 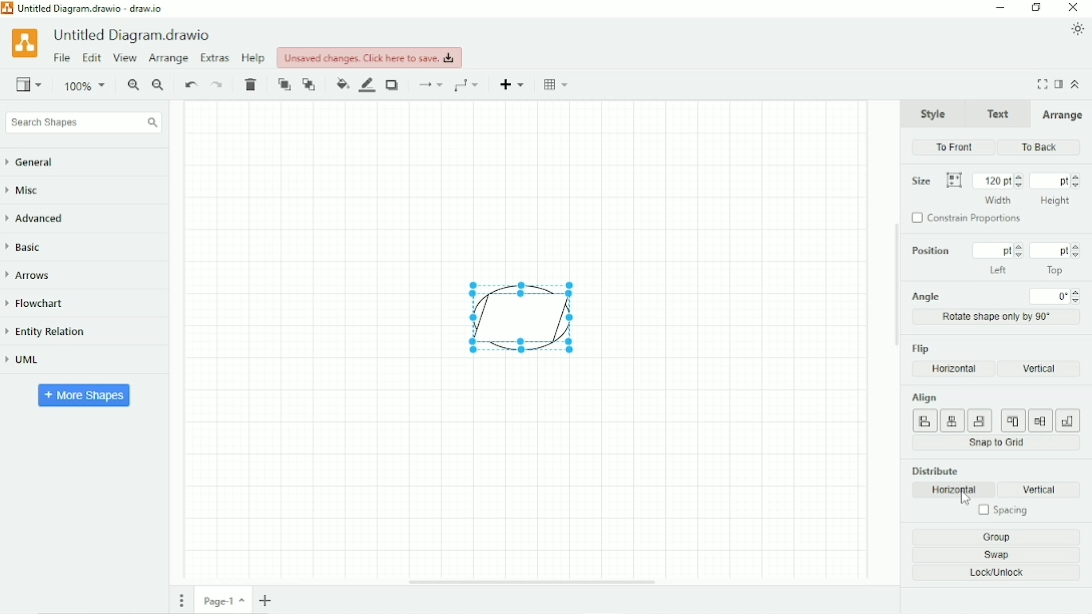 I want to click on Table, so click(x=558, y=84).